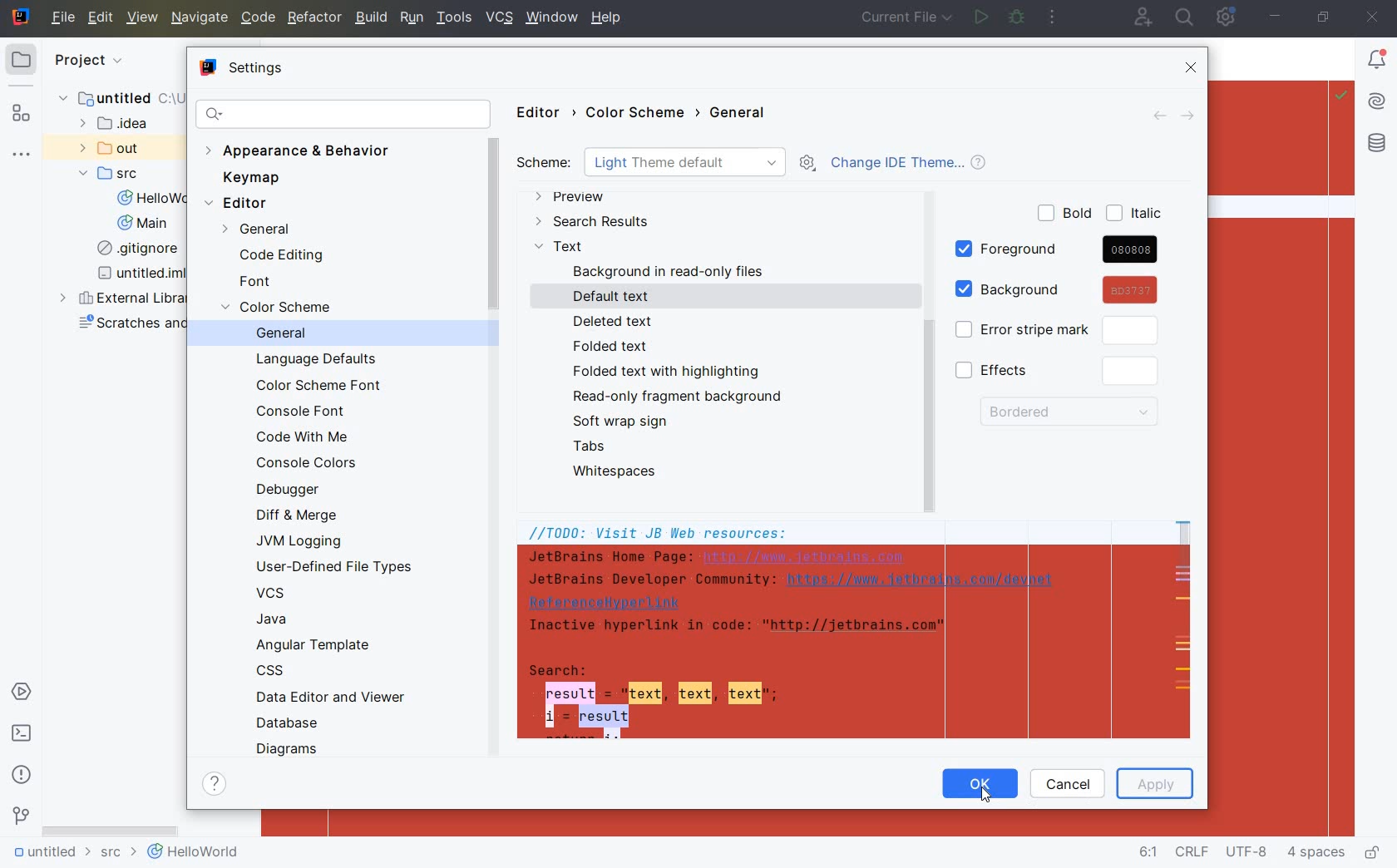 The image size is (1397, 868). Describe the element at coordinates (149, 200) in the screenshot. I see `HelloWorld` at that location.